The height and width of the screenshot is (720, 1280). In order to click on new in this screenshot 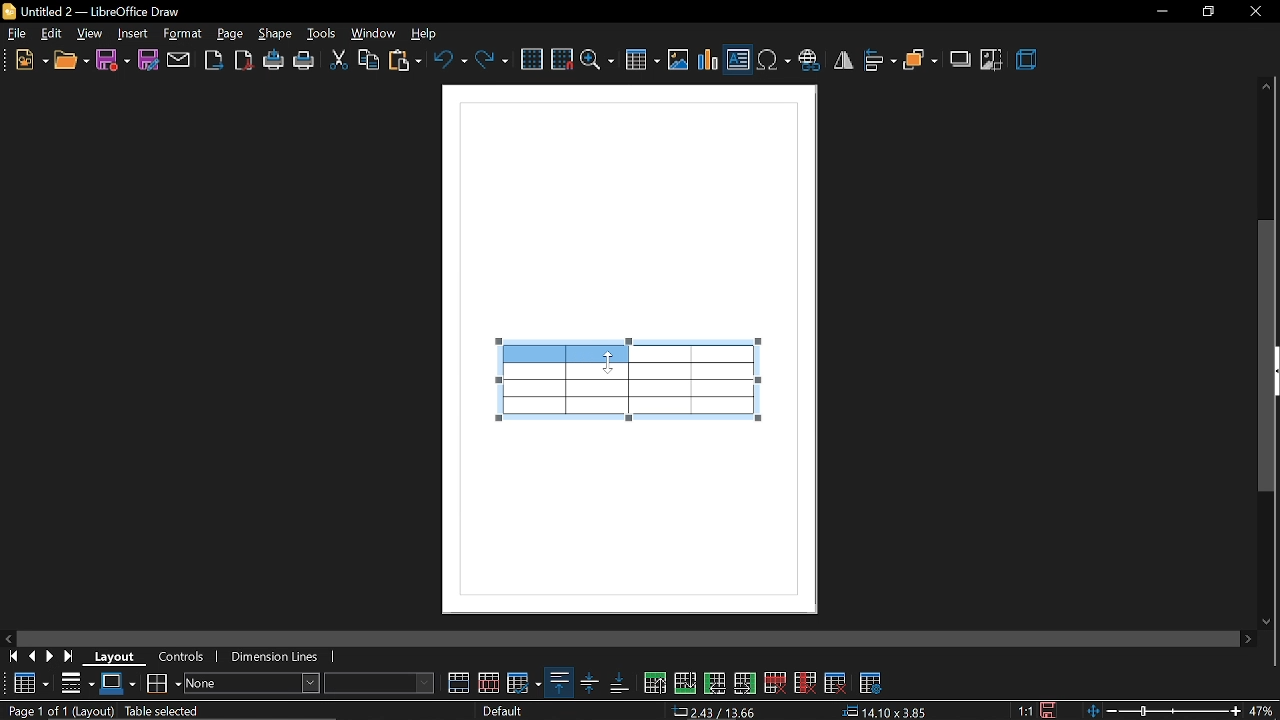, I will do `click(25, 59)`.